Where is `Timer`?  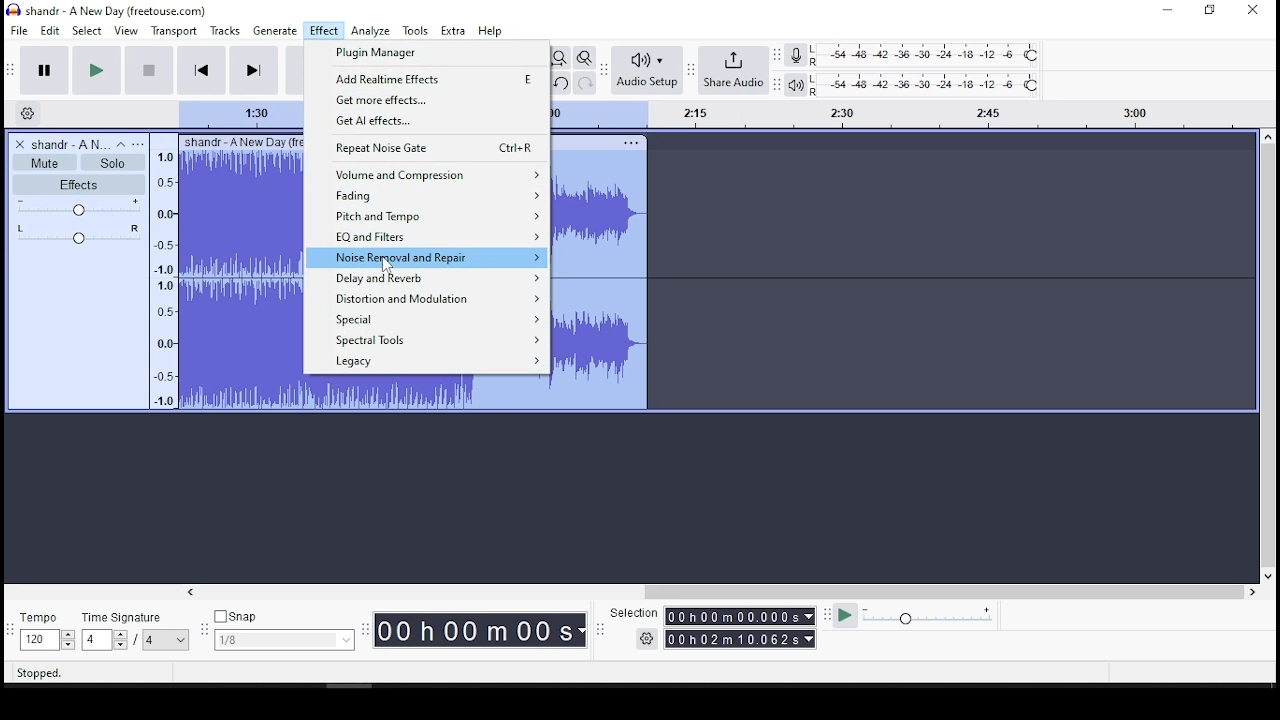 Timer is located at coordinates (477, 632).